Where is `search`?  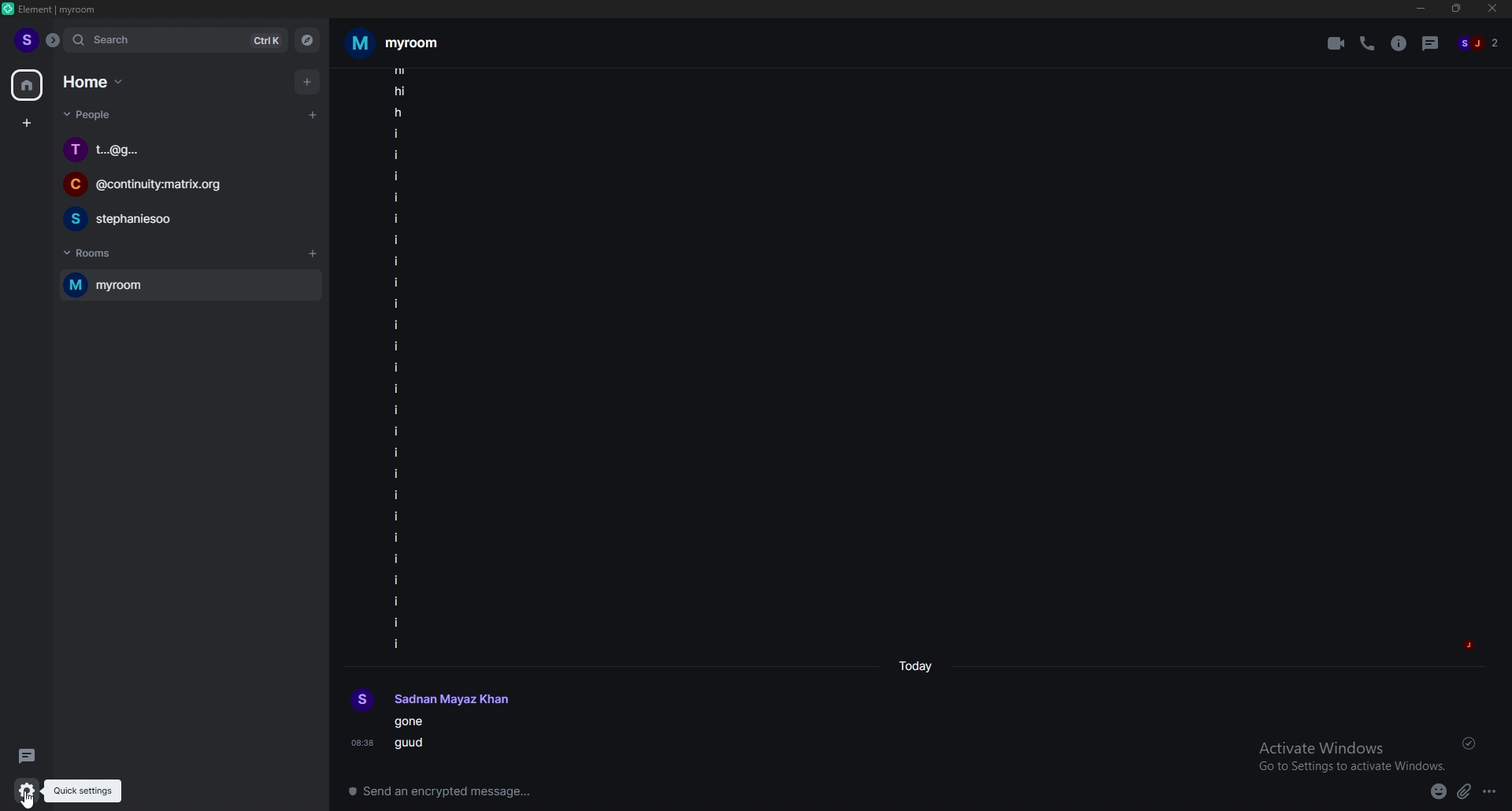 search is located at coordinates (174, 40).